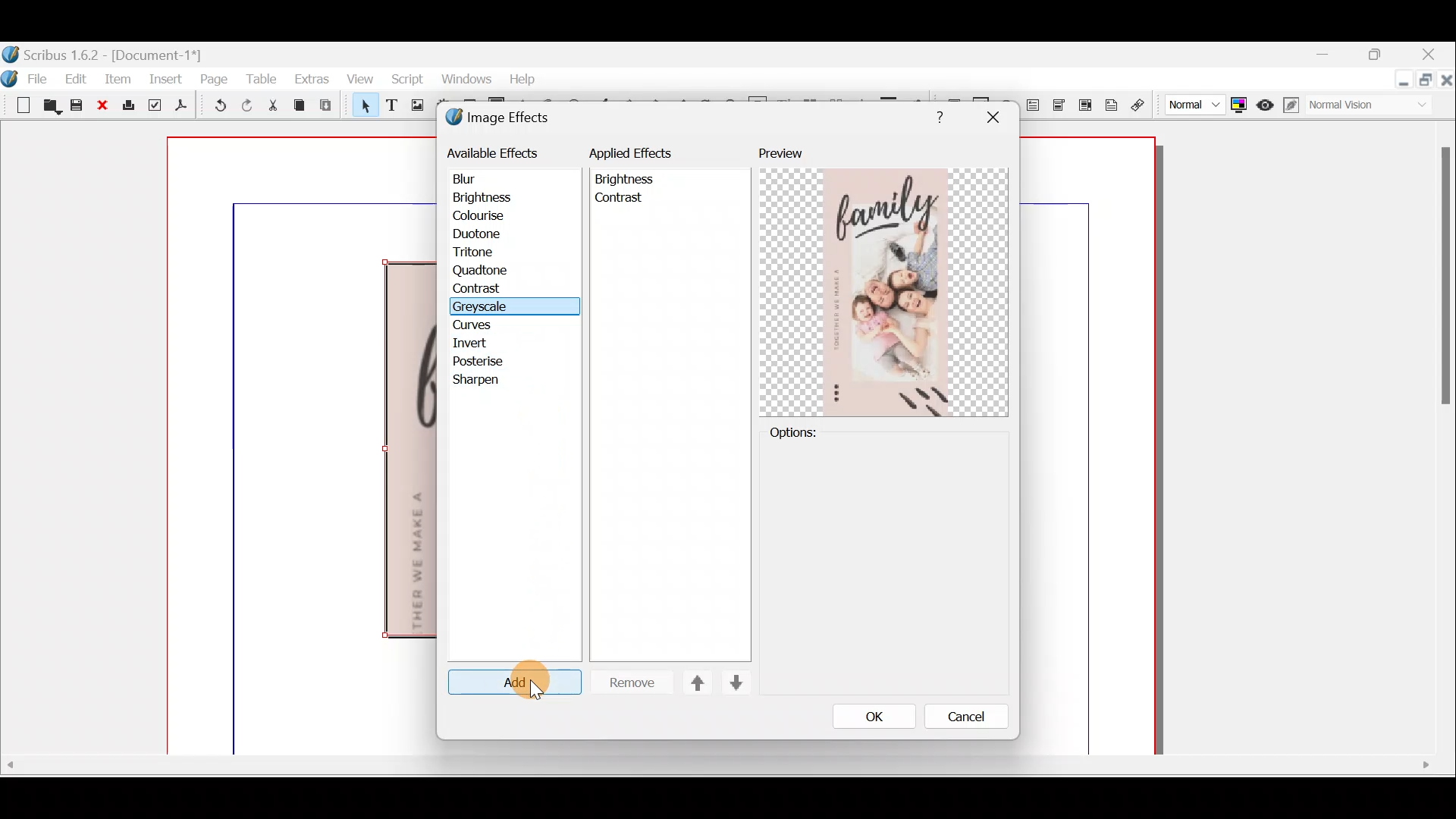 This screenshot has width=1456, height=819. I want to click on Scroll  bar, so click(726, 777).